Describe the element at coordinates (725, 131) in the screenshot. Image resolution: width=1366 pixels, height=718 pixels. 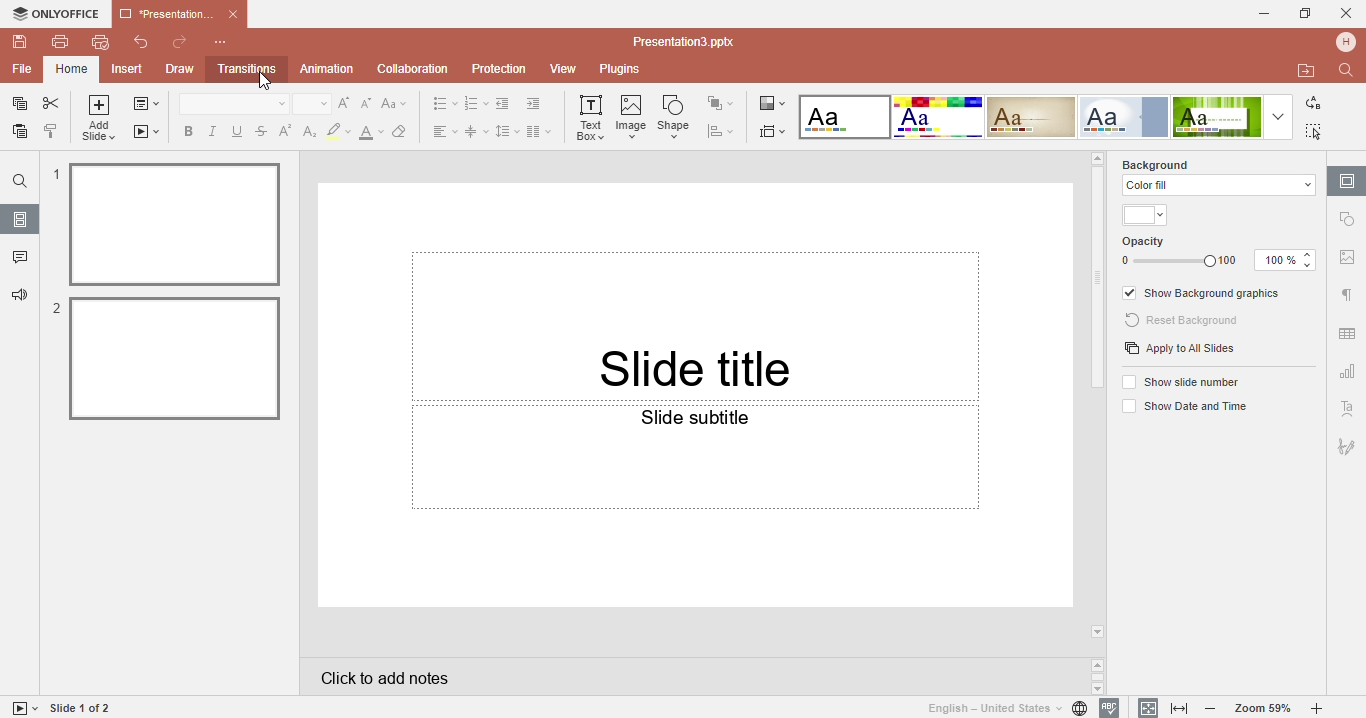
I see `Align shape` at that location.